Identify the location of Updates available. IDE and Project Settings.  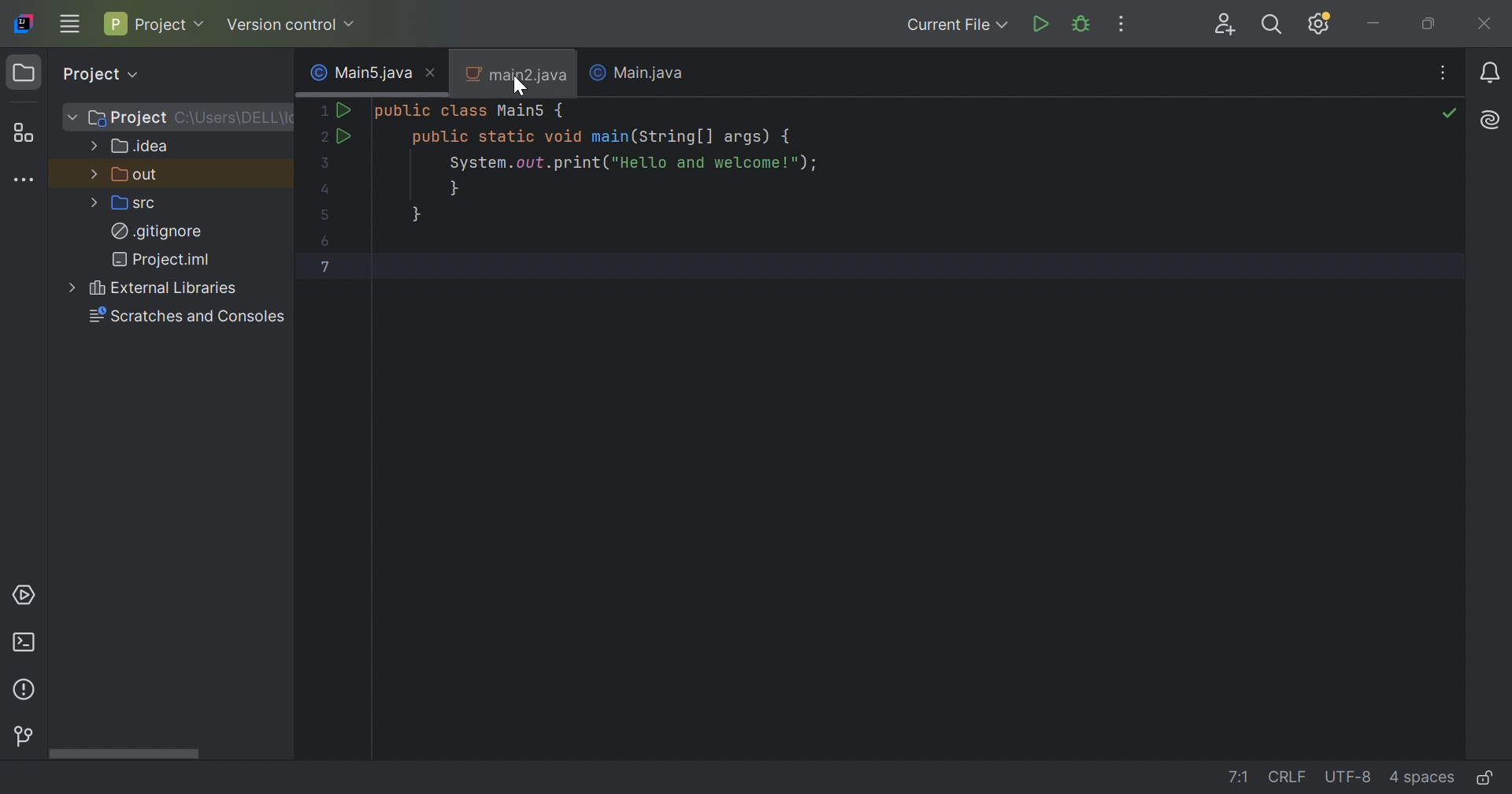
(1321, 24).